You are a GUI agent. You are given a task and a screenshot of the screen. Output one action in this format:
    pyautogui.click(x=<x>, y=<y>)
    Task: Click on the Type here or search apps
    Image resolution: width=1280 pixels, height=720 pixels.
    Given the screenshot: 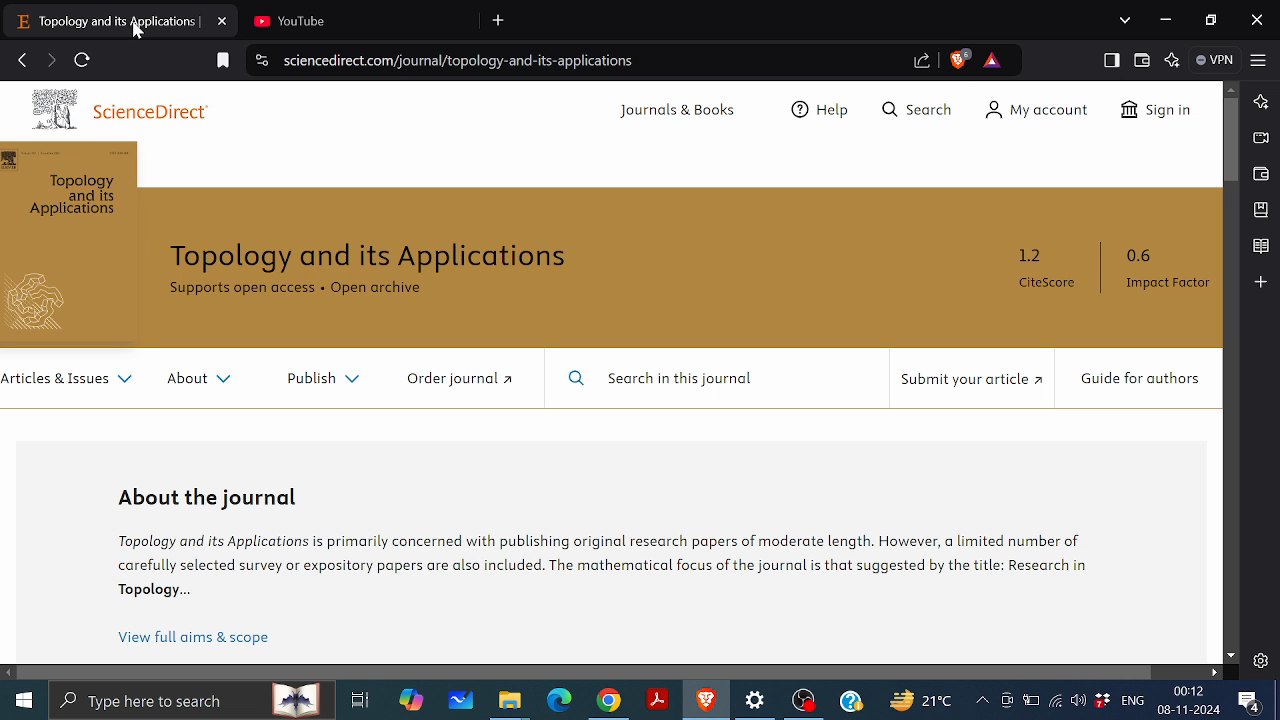 What is the action you would take?
    pyautogui.click(x=190, y=699)
    